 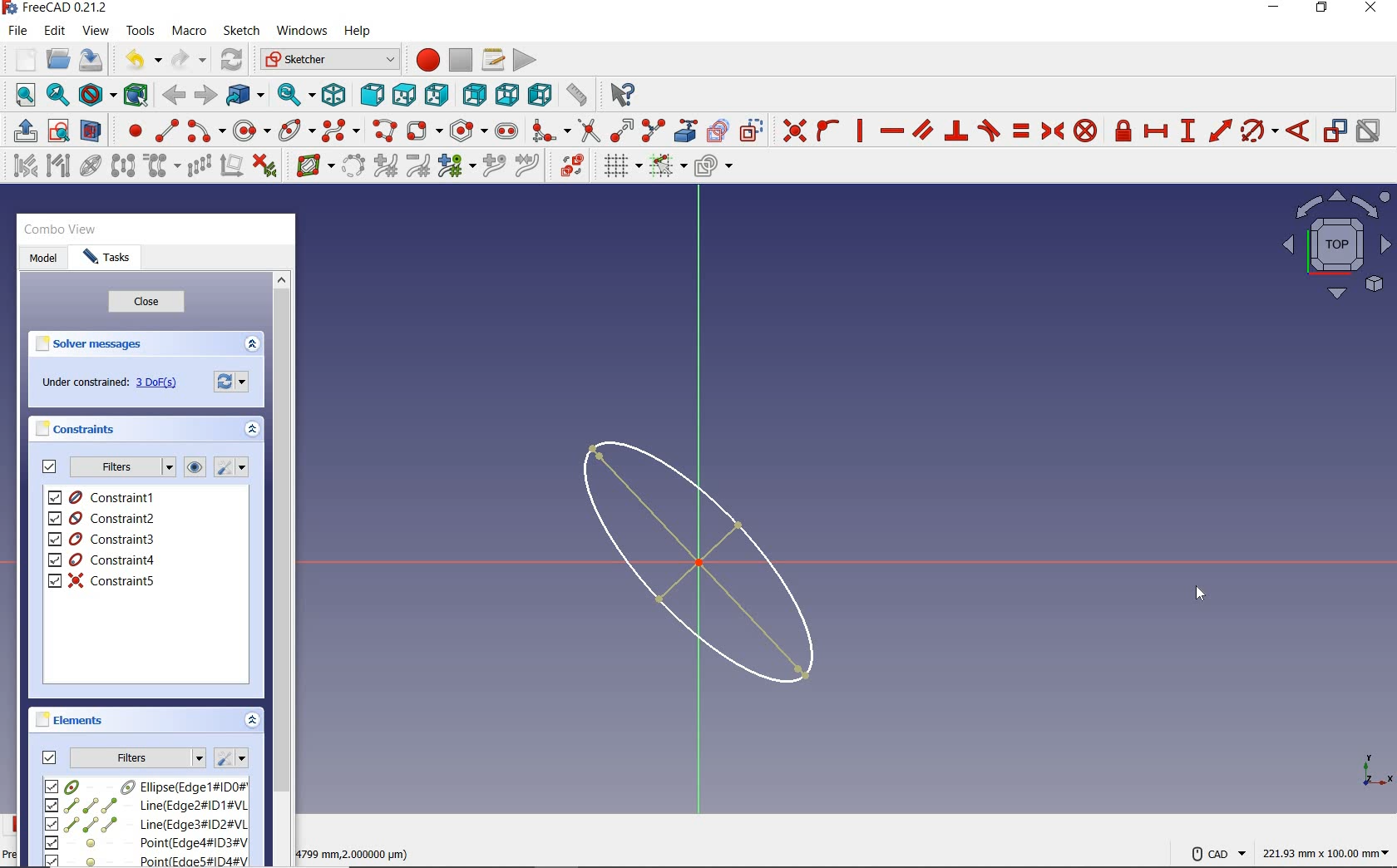 I want to click on constrain symmetrical, so click(x=1051, y=131).